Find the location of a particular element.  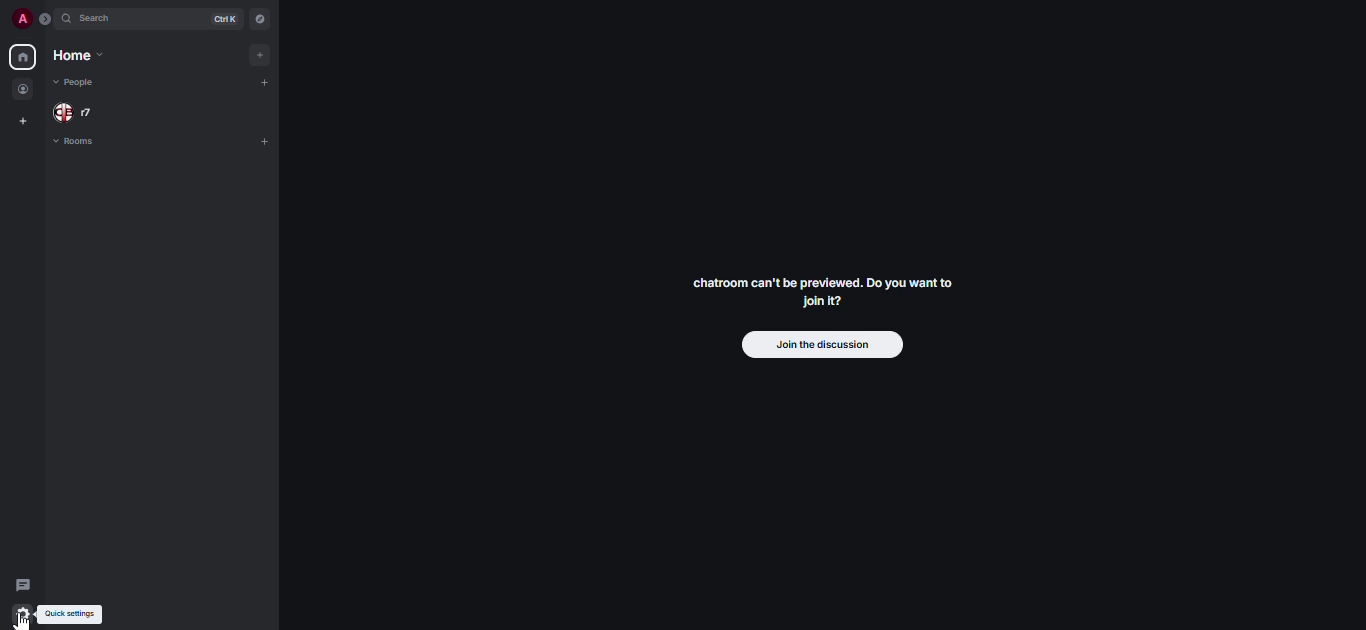

home is located at coordinates (75, 57).